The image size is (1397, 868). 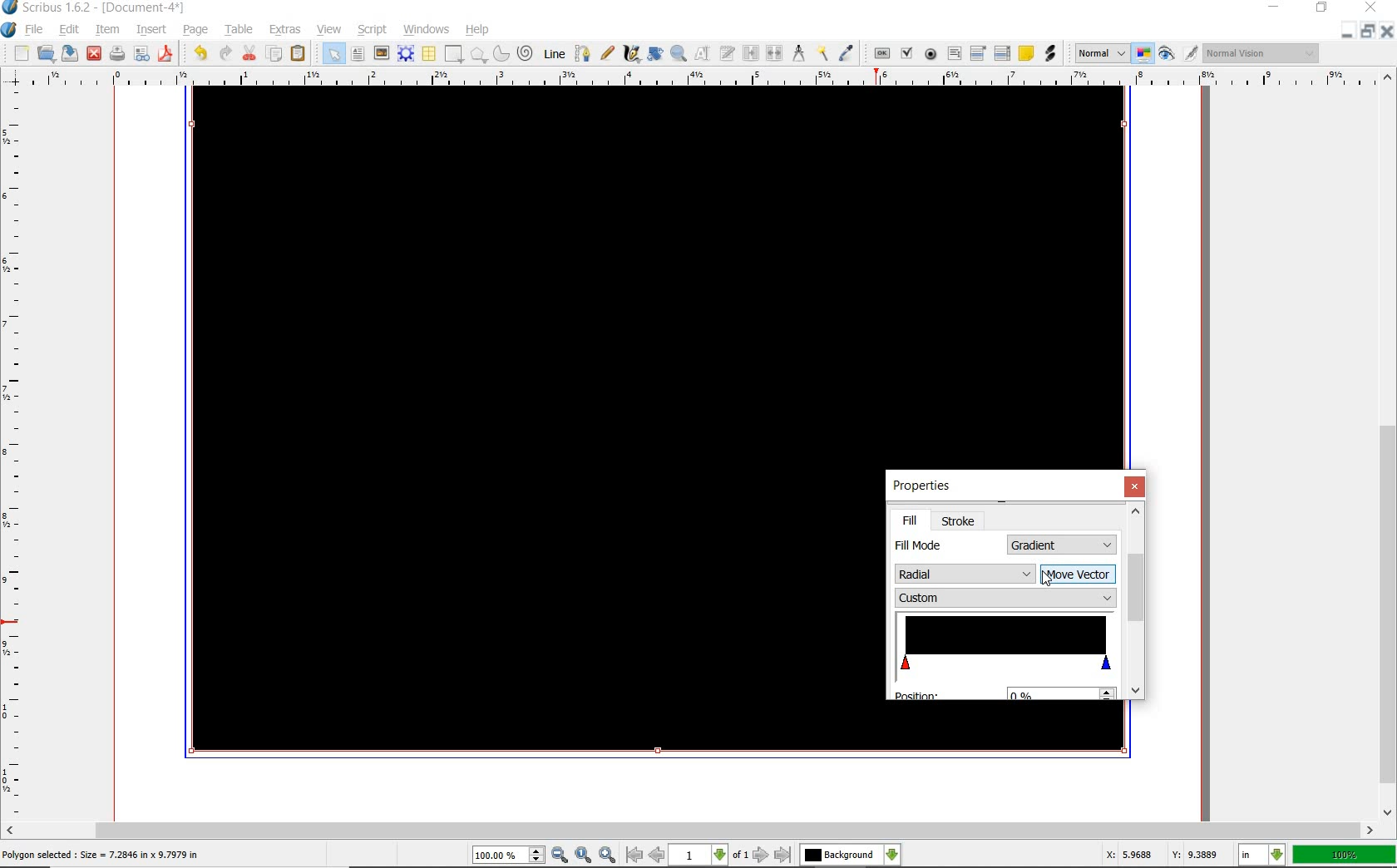 What do you see at coordinates (275, 54) in the screenshot?
I see `copy` at bounding box center [275, 54].